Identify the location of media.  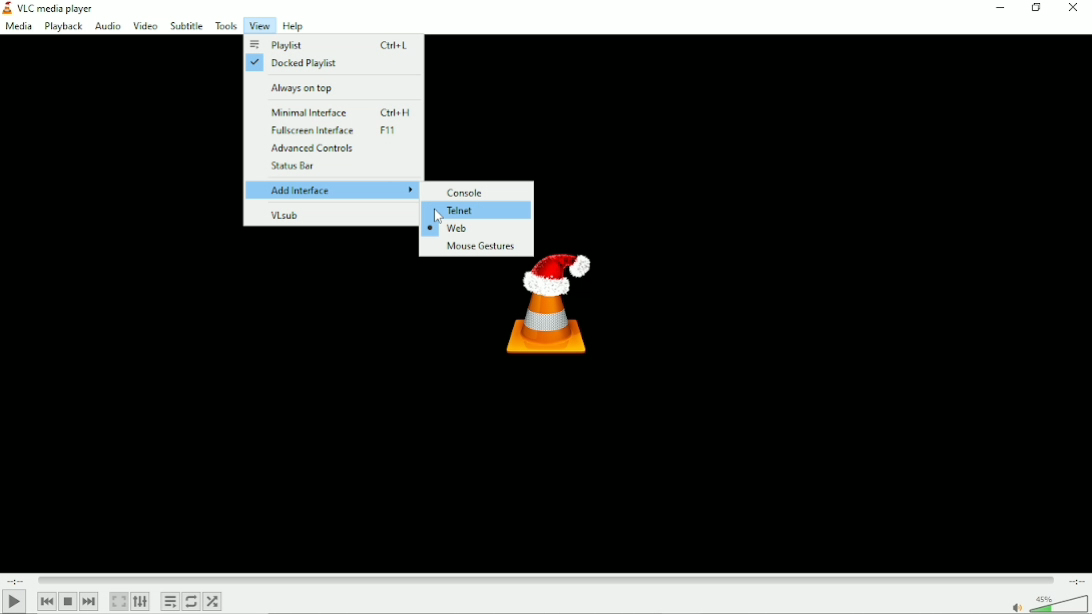
(18, 28).